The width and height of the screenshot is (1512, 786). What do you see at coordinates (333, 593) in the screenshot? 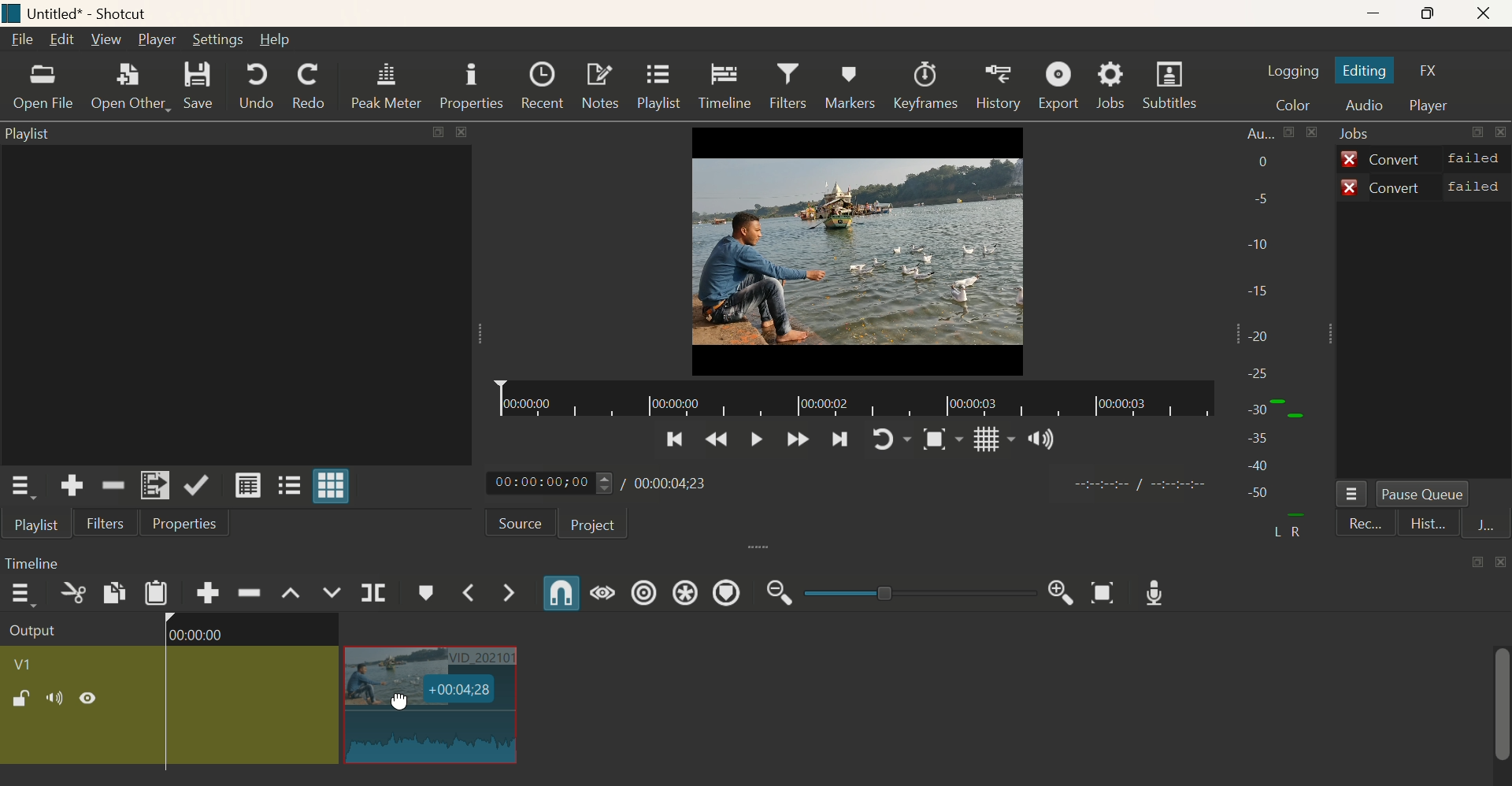
I see `Overwrite` at bounding box center [333, 593].